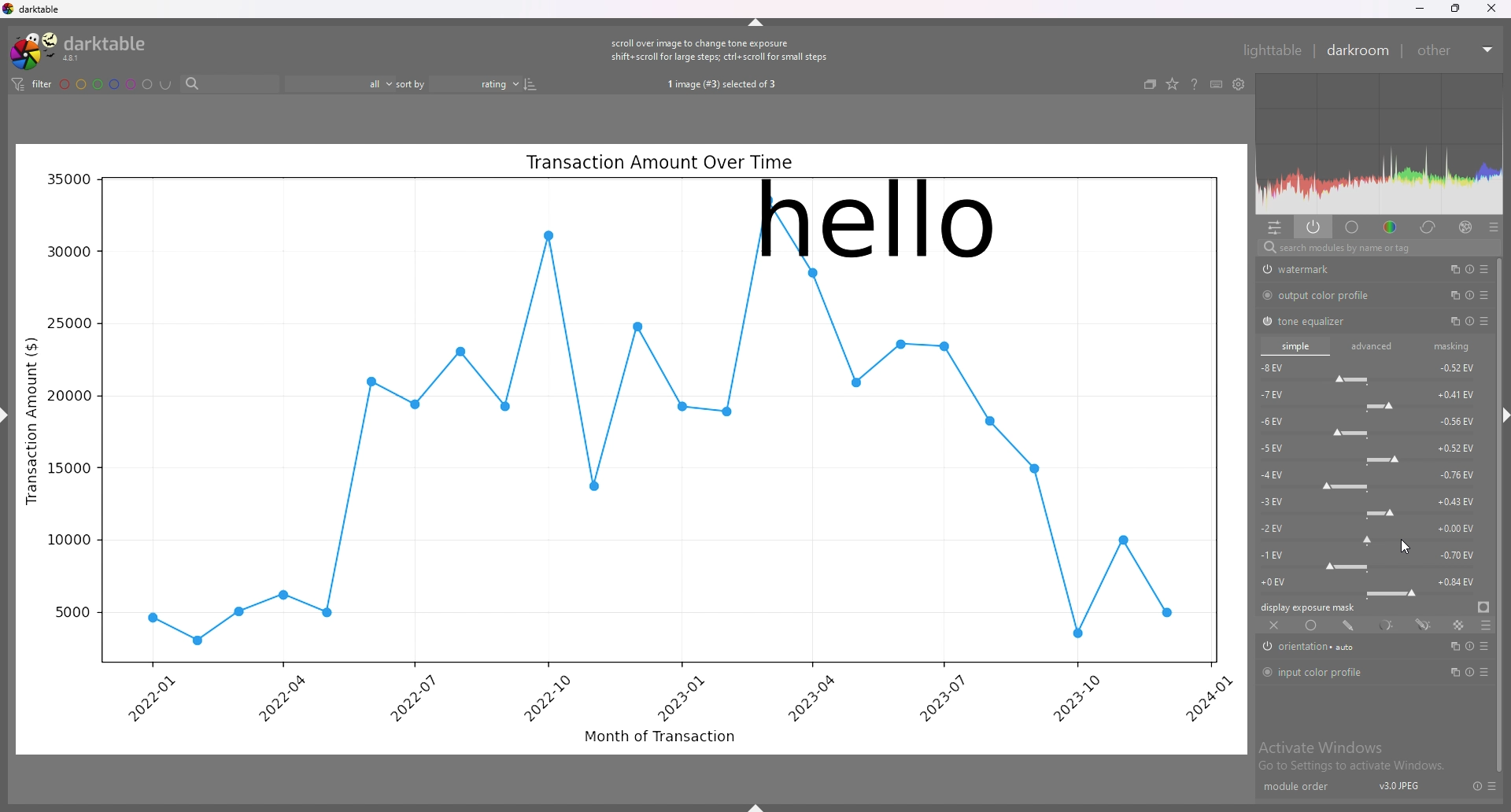 Image resolution: width=1511 pixels, height=812 pixels. I want to click on effect, so click(1465, 227).